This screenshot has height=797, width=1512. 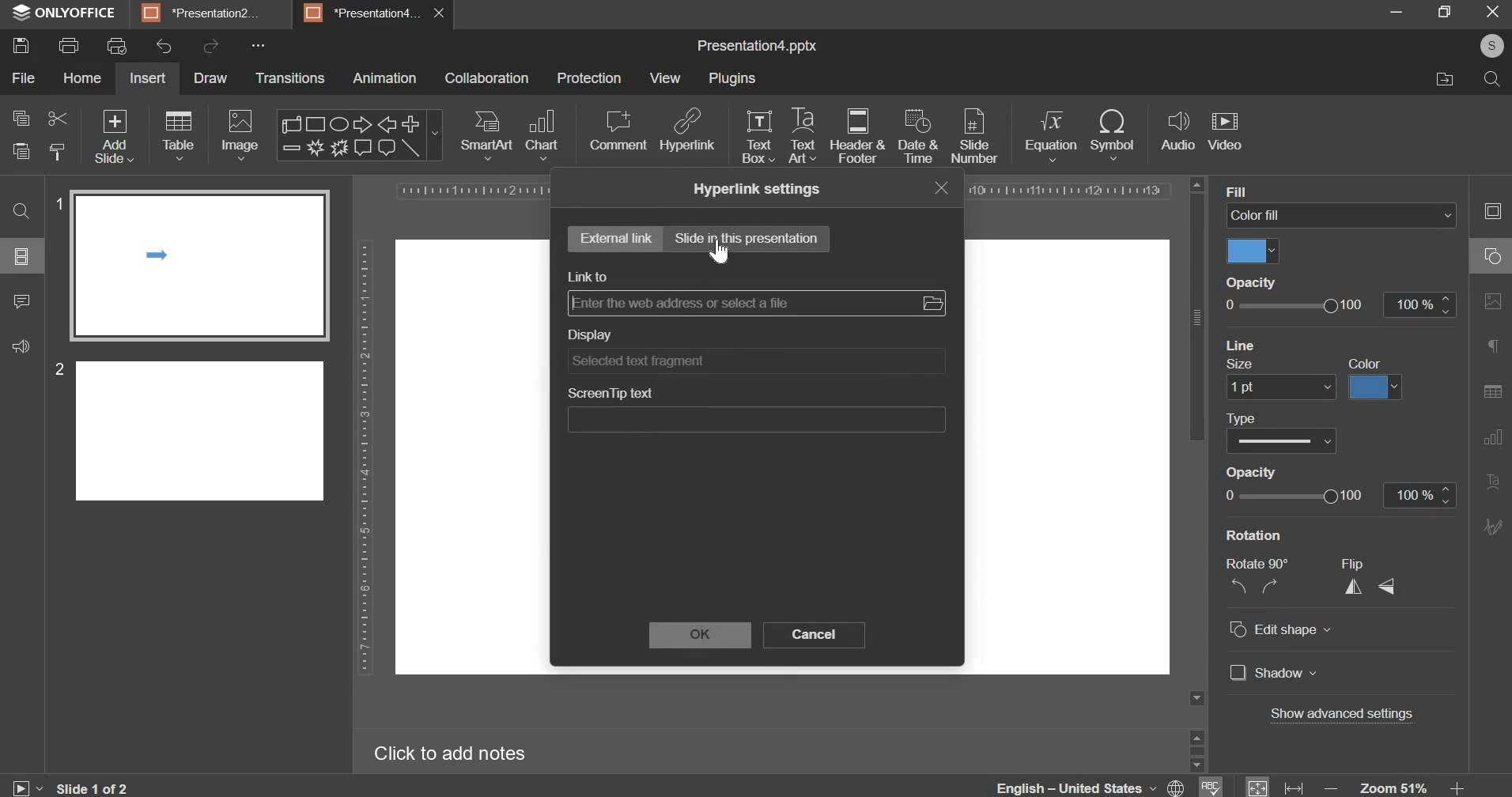 I want to click on *Presentation2., so click(x=203, y=15).